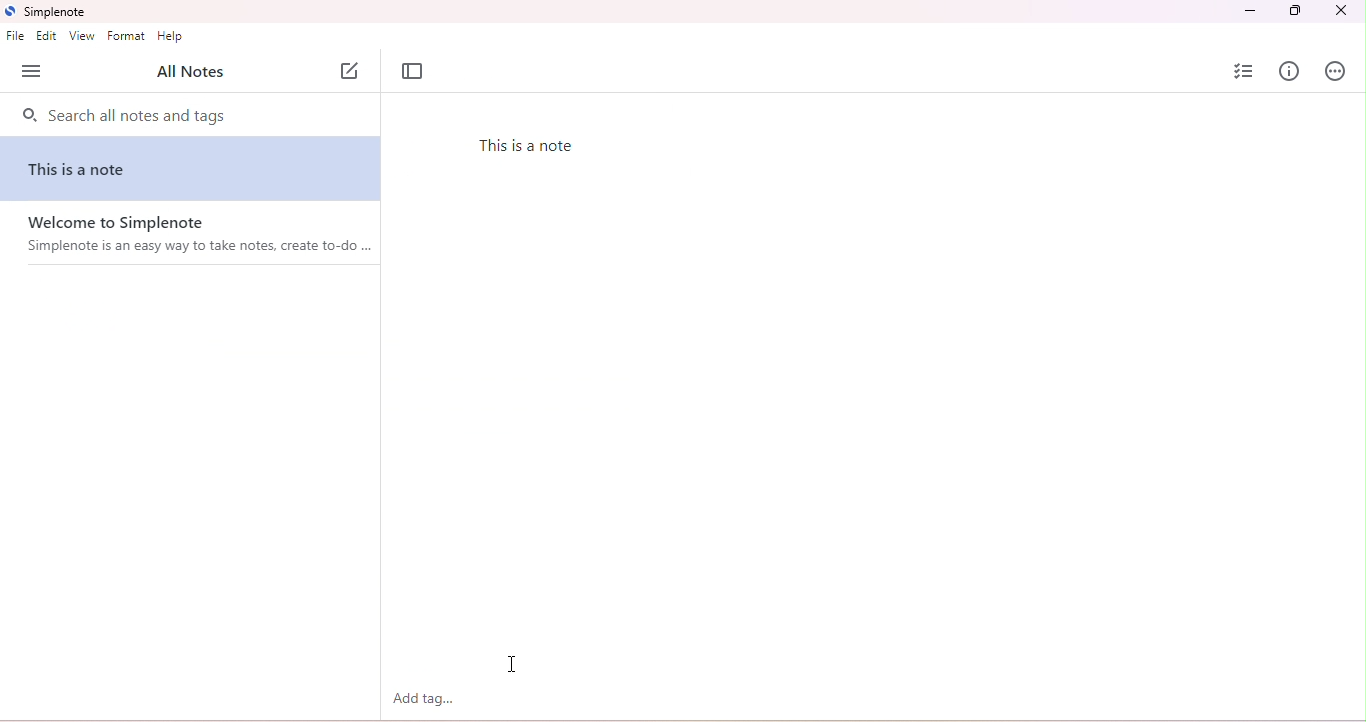  I want to click on maximize, so click(1296, 12).